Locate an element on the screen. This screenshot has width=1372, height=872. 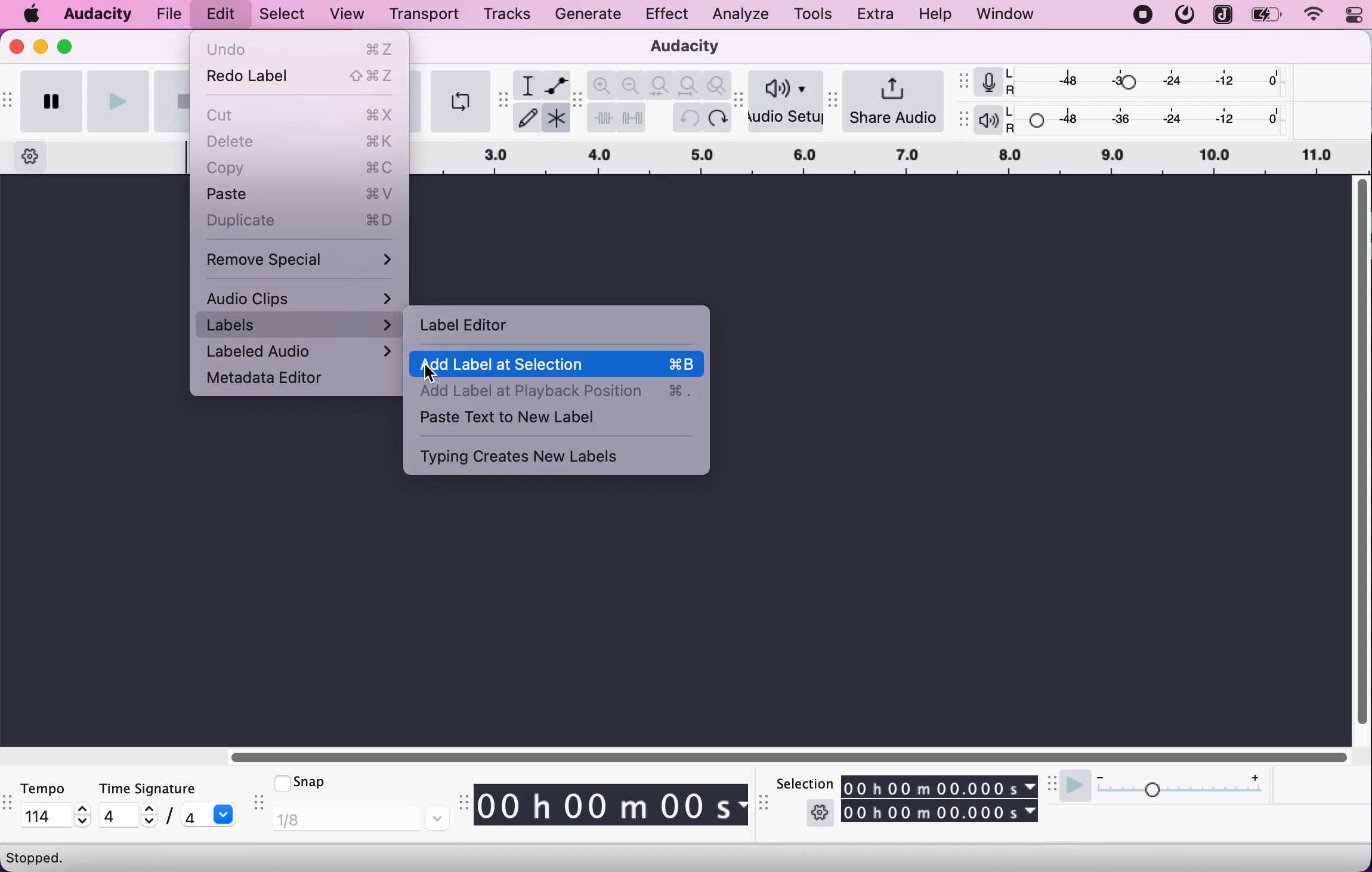
snap is located at coordinates (324, 786).